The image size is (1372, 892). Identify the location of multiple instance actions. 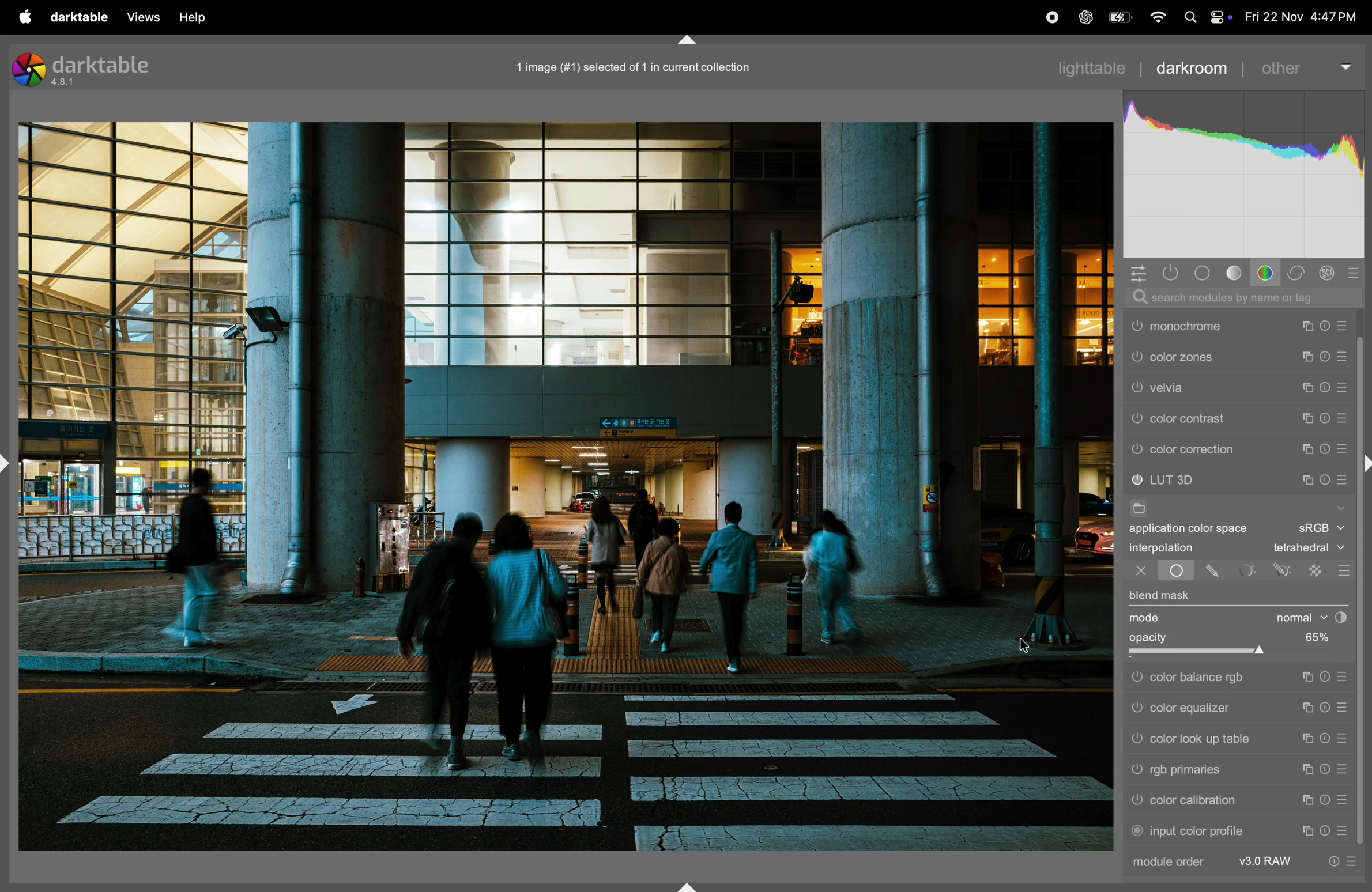
(1309, 708).